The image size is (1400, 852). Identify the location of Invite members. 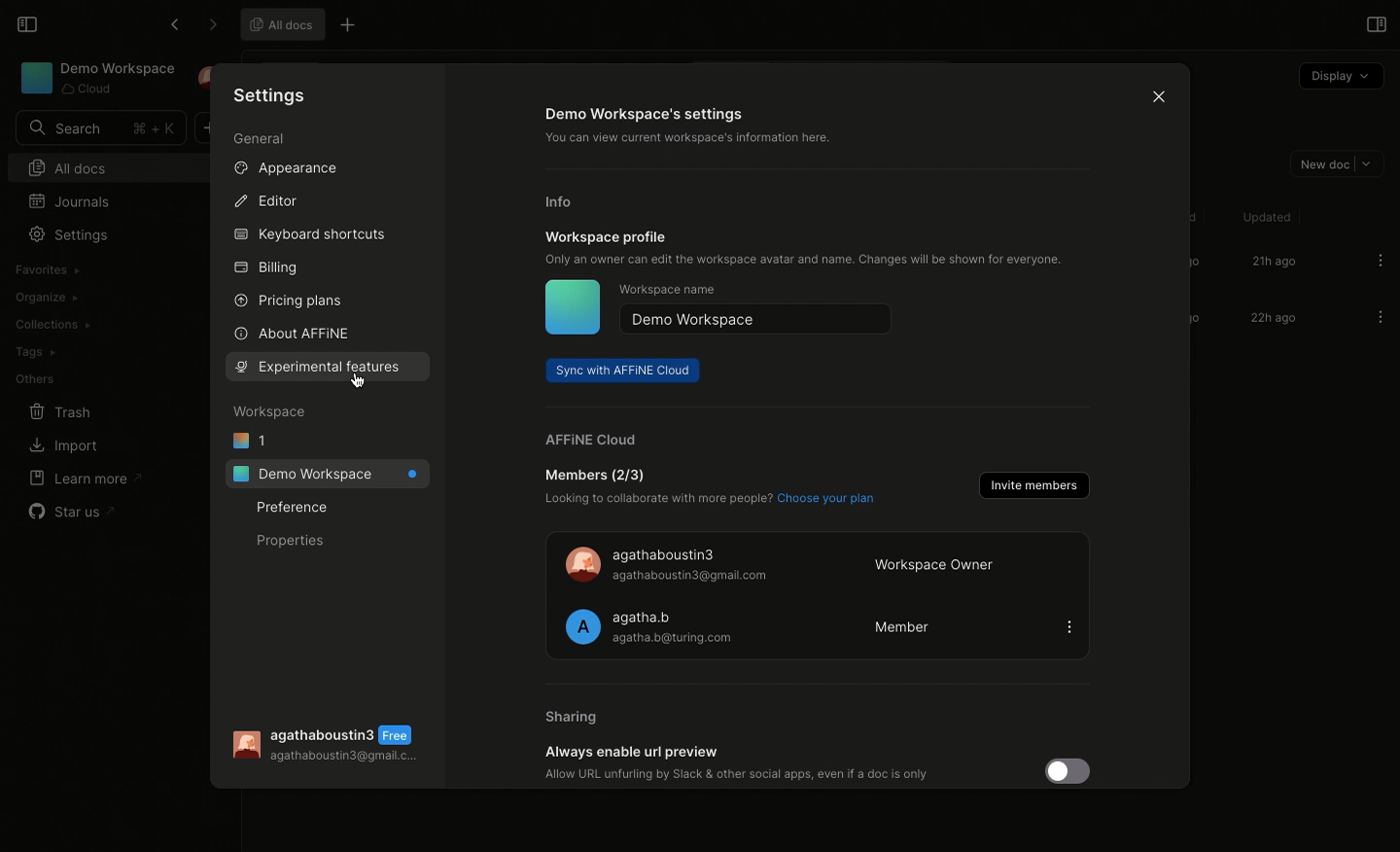
(1032, 485).